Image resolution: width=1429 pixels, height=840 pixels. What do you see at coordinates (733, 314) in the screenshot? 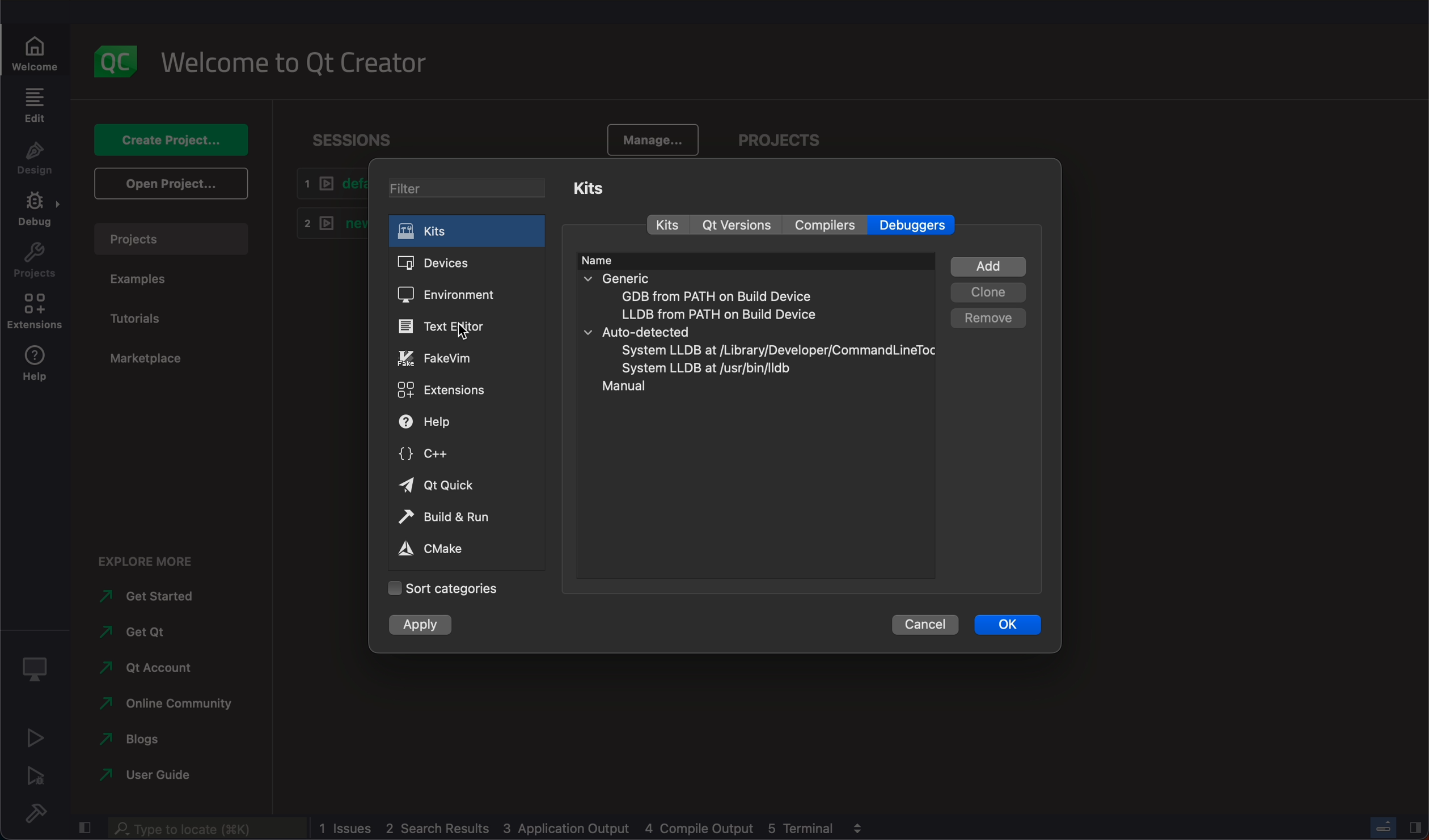
I see `LLDB` at bounding box center [733, 314].